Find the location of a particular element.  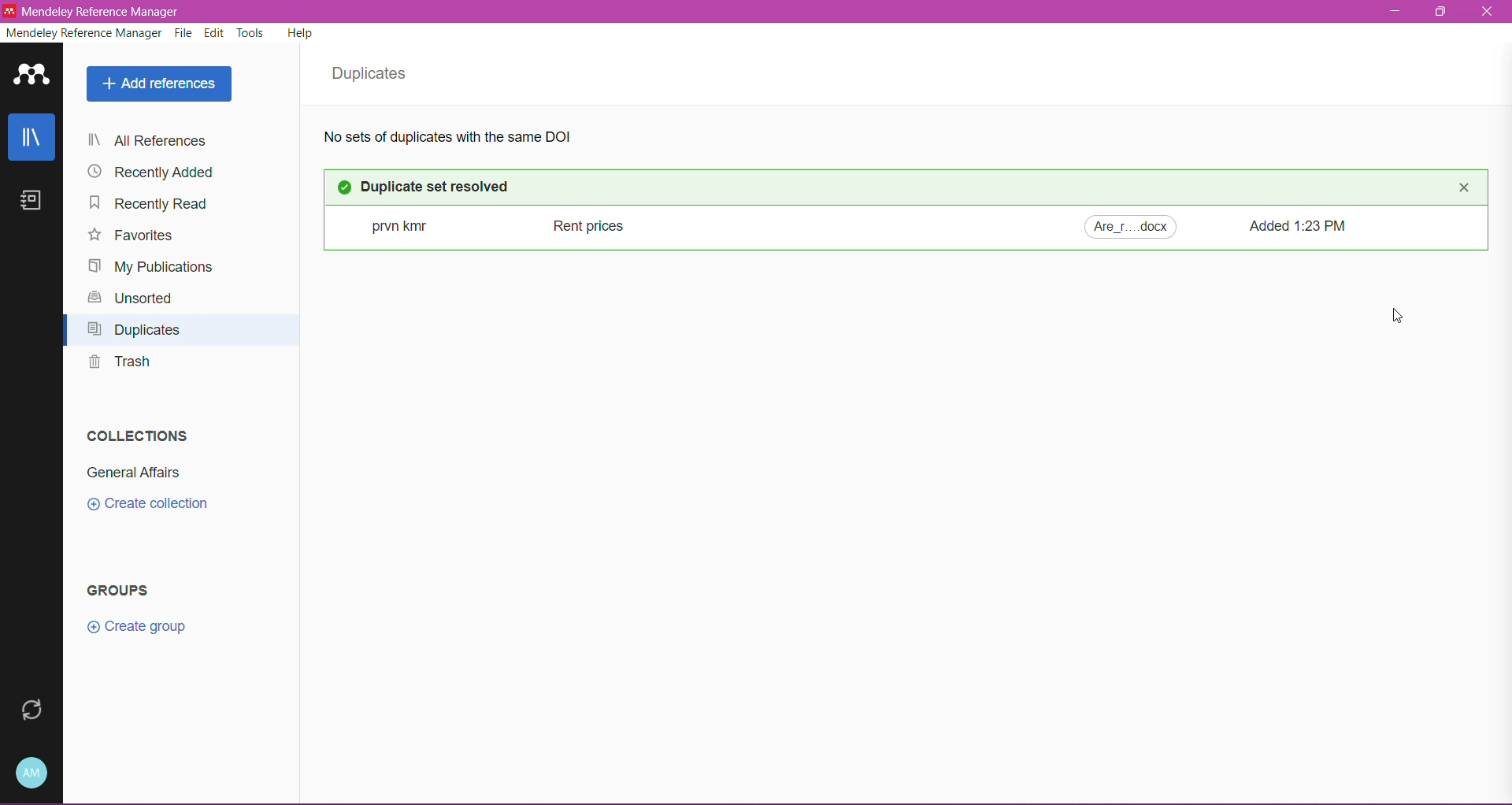

Groups is located at coordinates (124, 591).